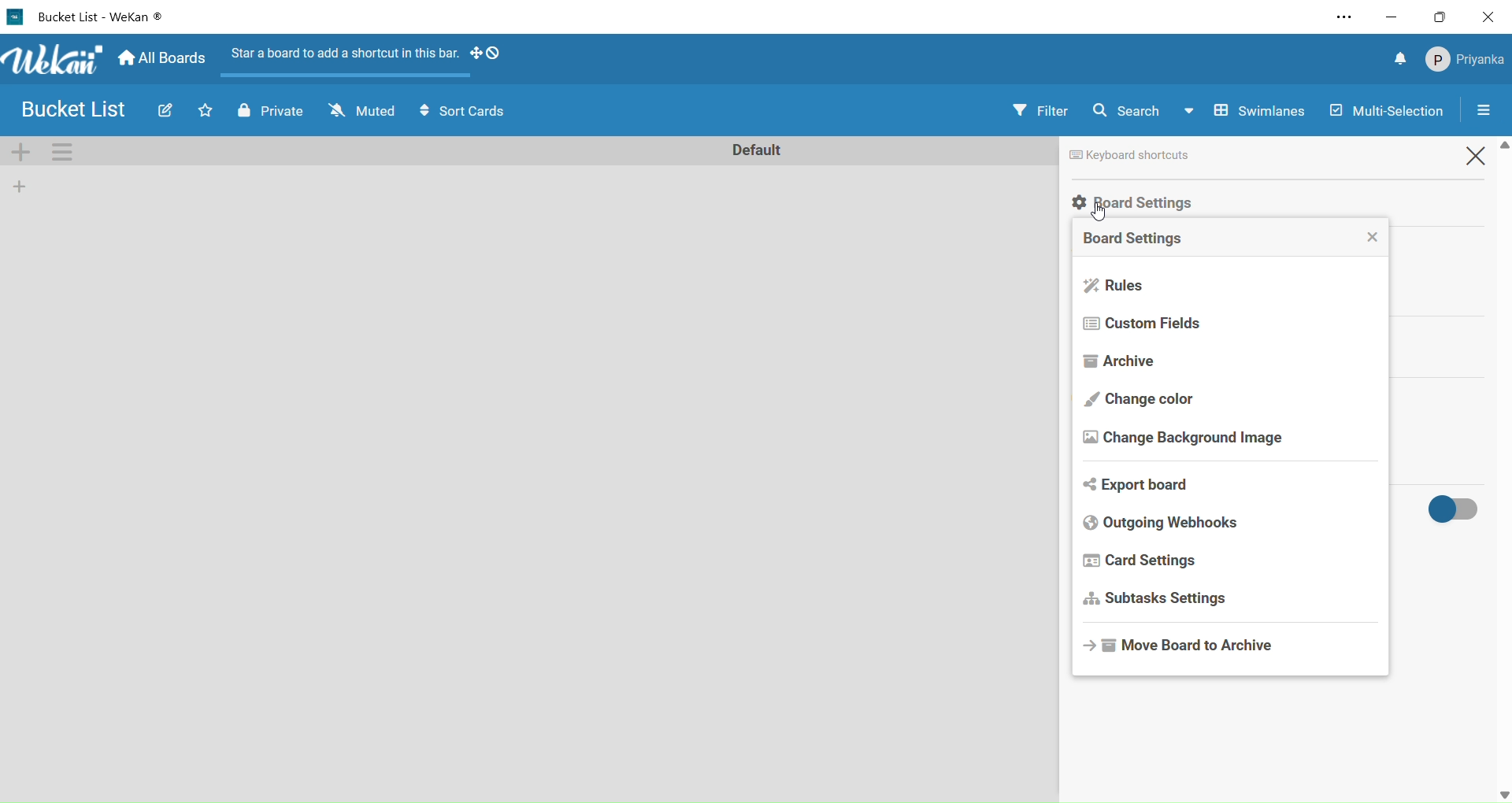 The height and width of the screenshot is (803, 1512). I want to click on board name, so click(78, 109).